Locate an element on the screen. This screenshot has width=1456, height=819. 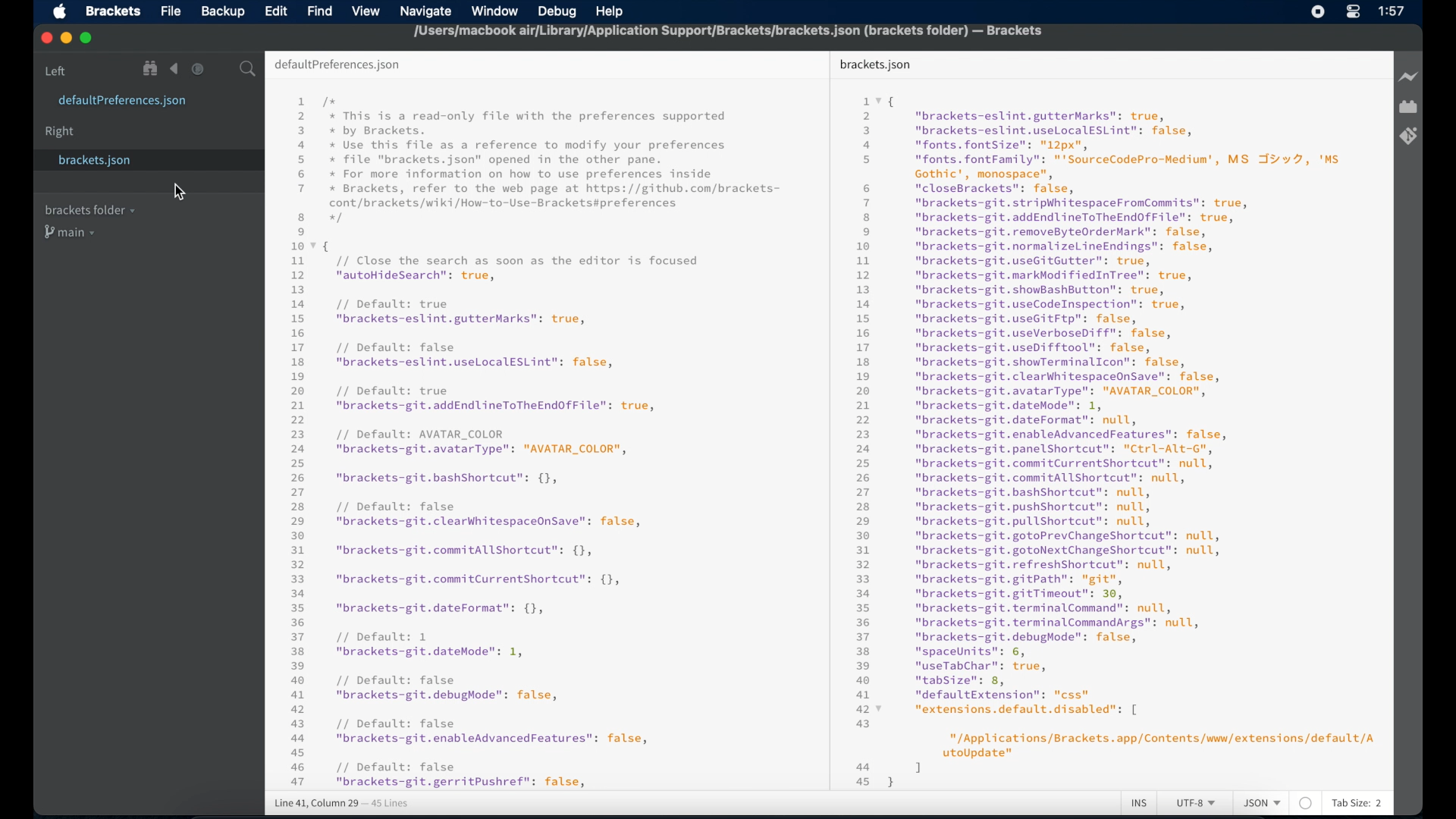
brackets json is located at coordinates (875, 64).